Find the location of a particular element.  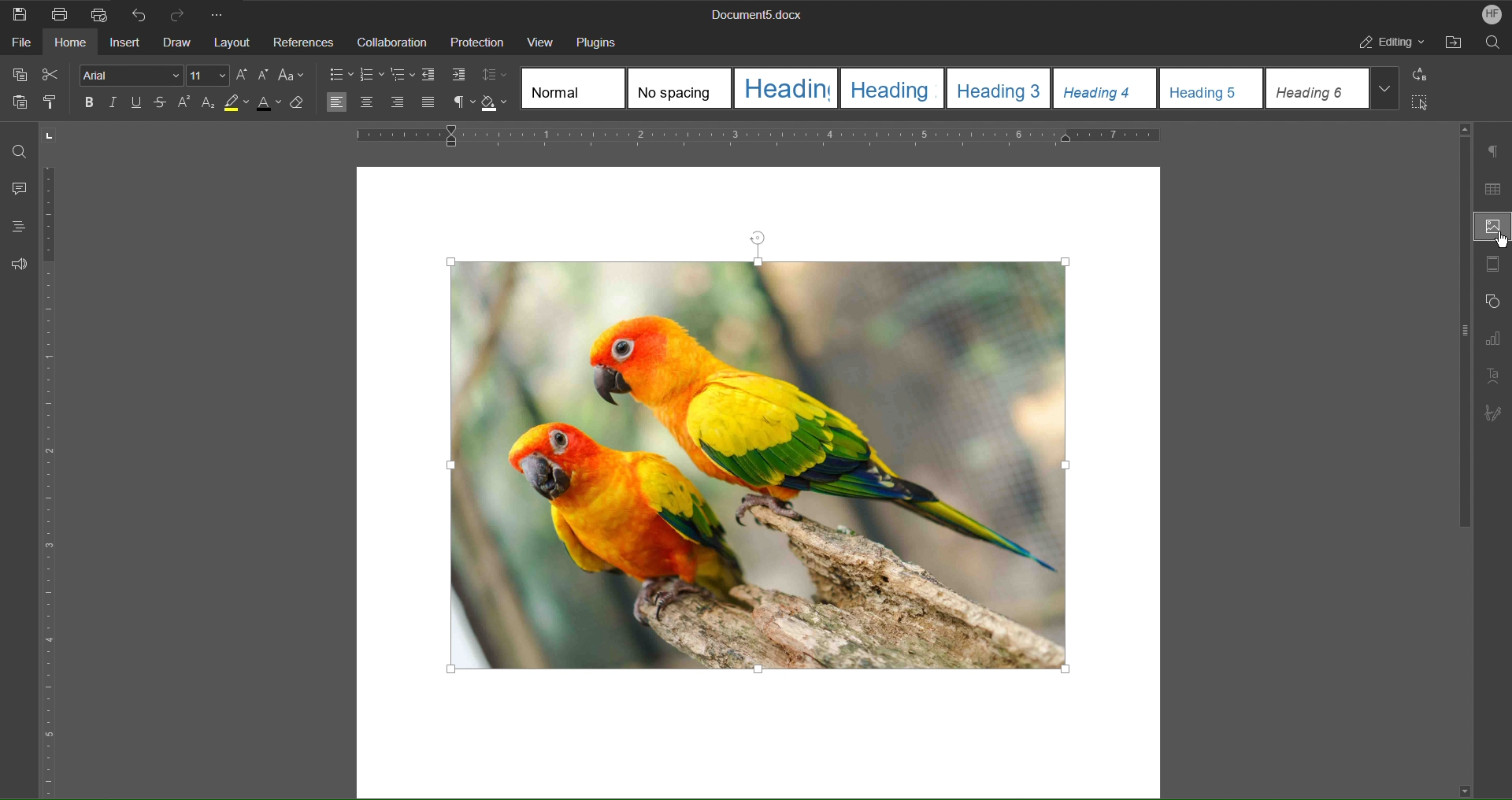

File is located at coordinates (17, 45).